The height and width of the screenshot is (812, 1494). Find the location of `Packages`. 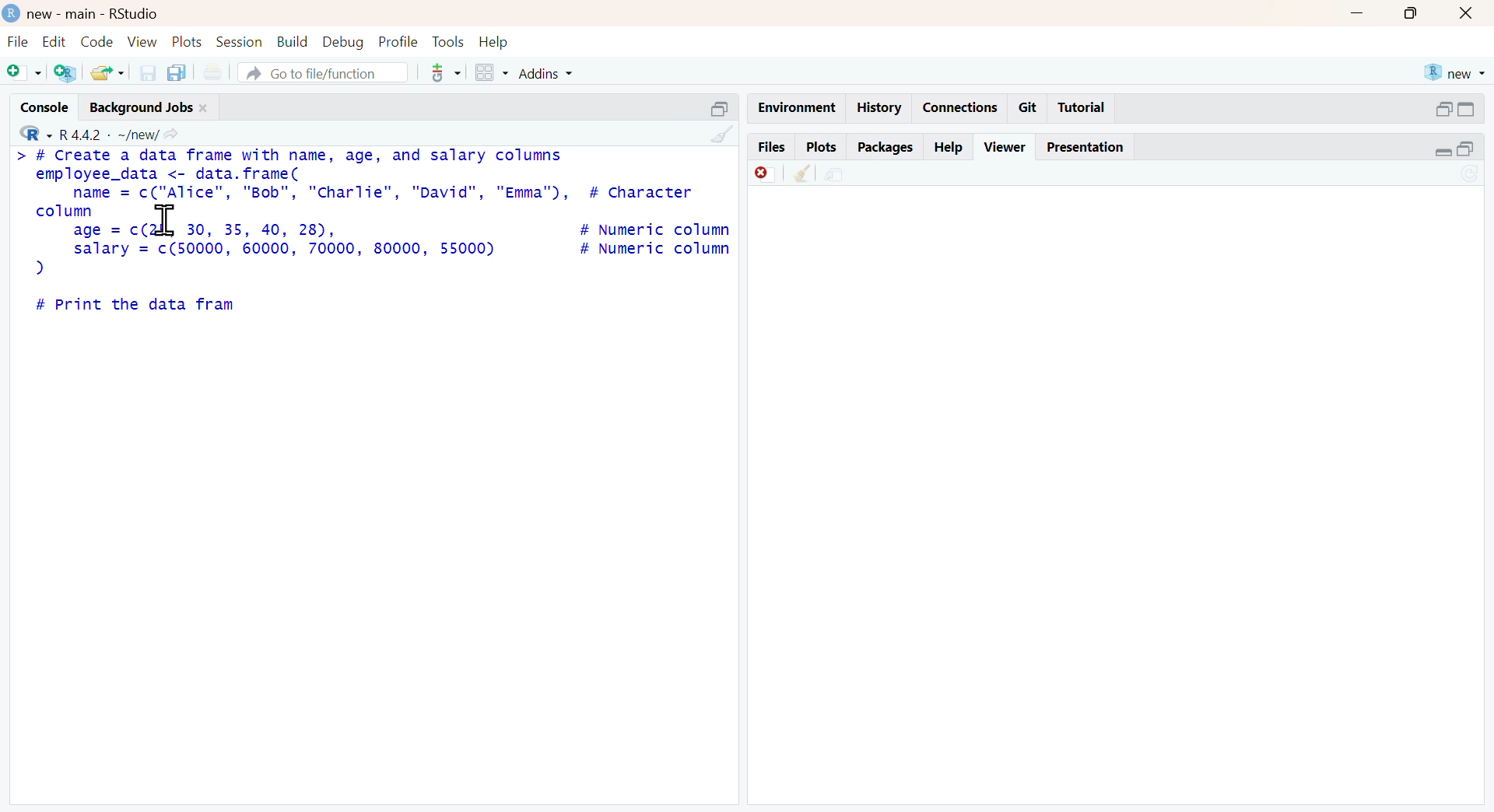

Packages is located at coordinates (886, 145).